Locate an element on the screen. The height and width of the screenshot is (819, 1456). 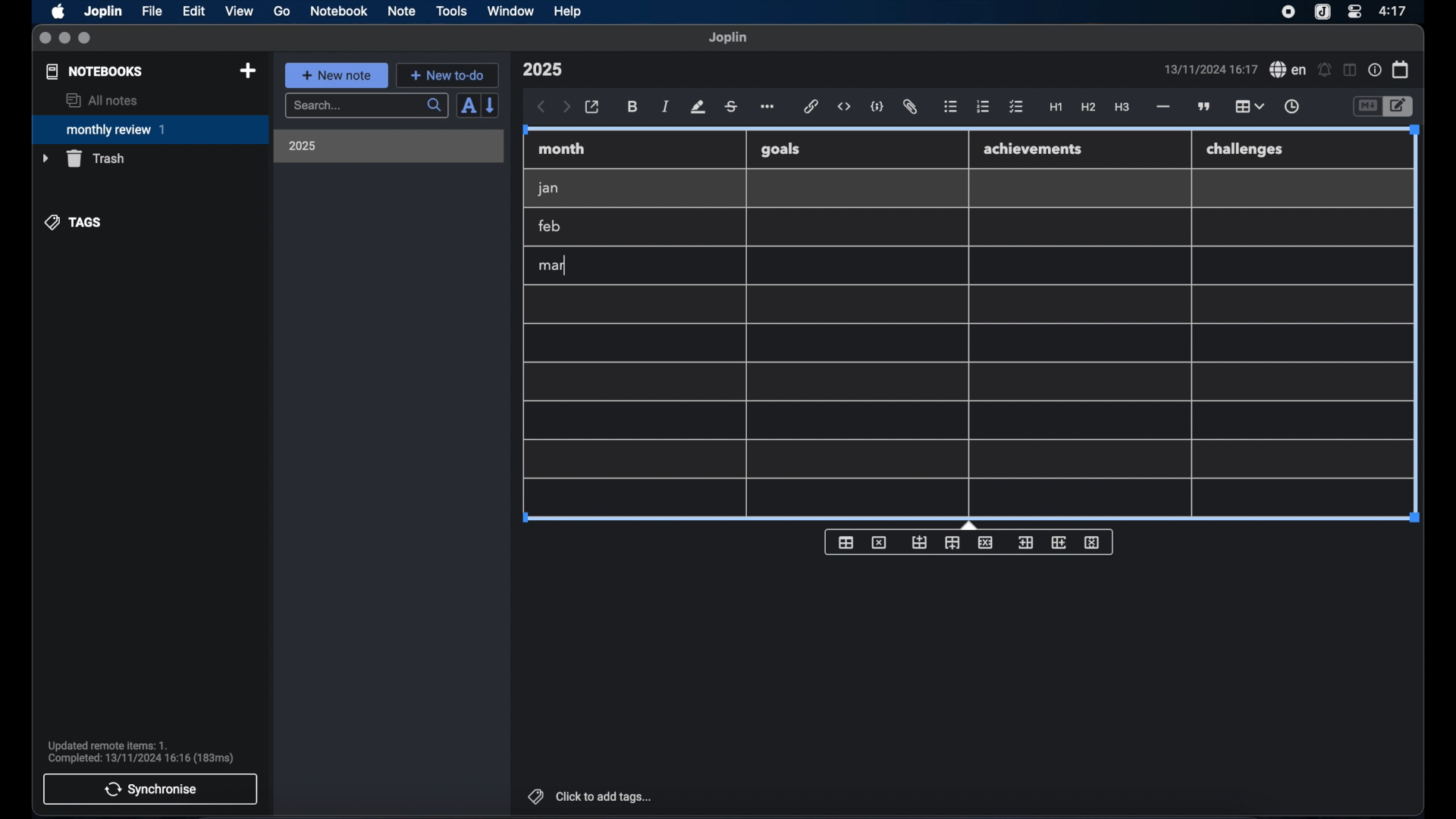
joplin is located at coordinates (728, 37).